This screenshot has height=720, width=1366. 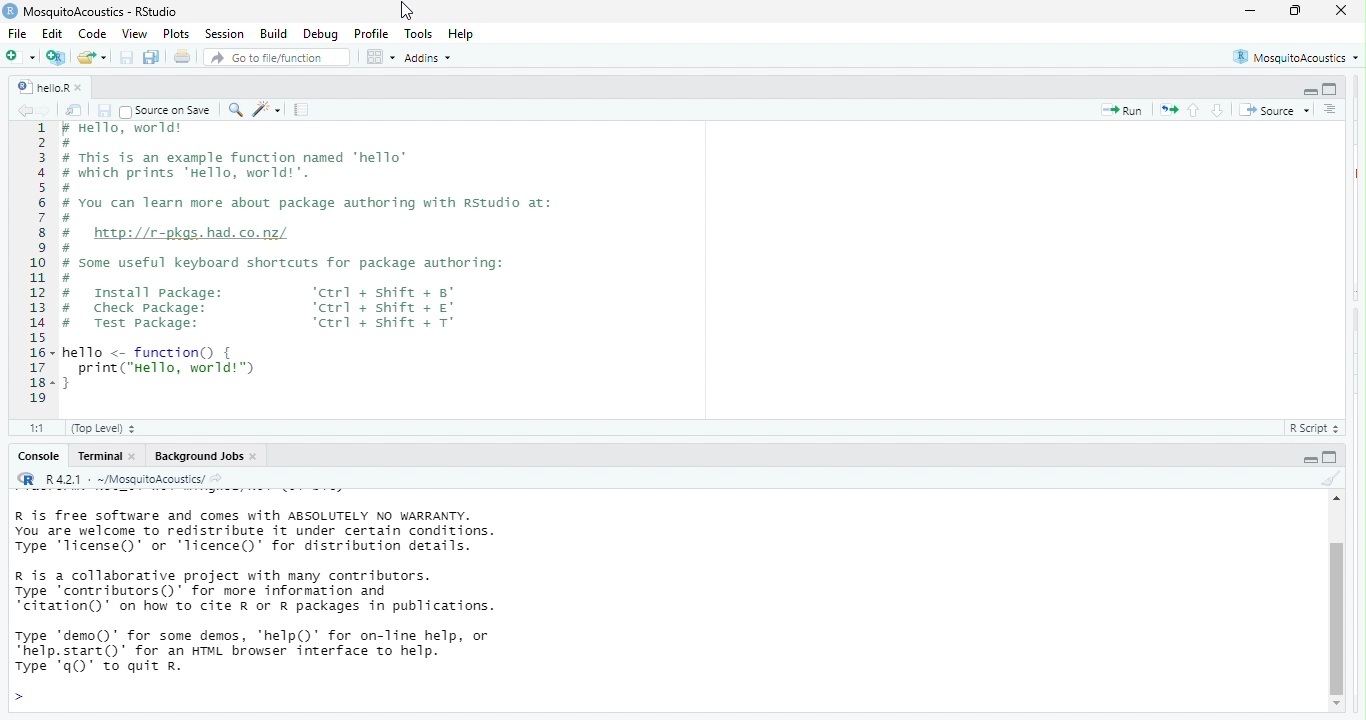 I want to click on save current document, so click(x=126, y=57).